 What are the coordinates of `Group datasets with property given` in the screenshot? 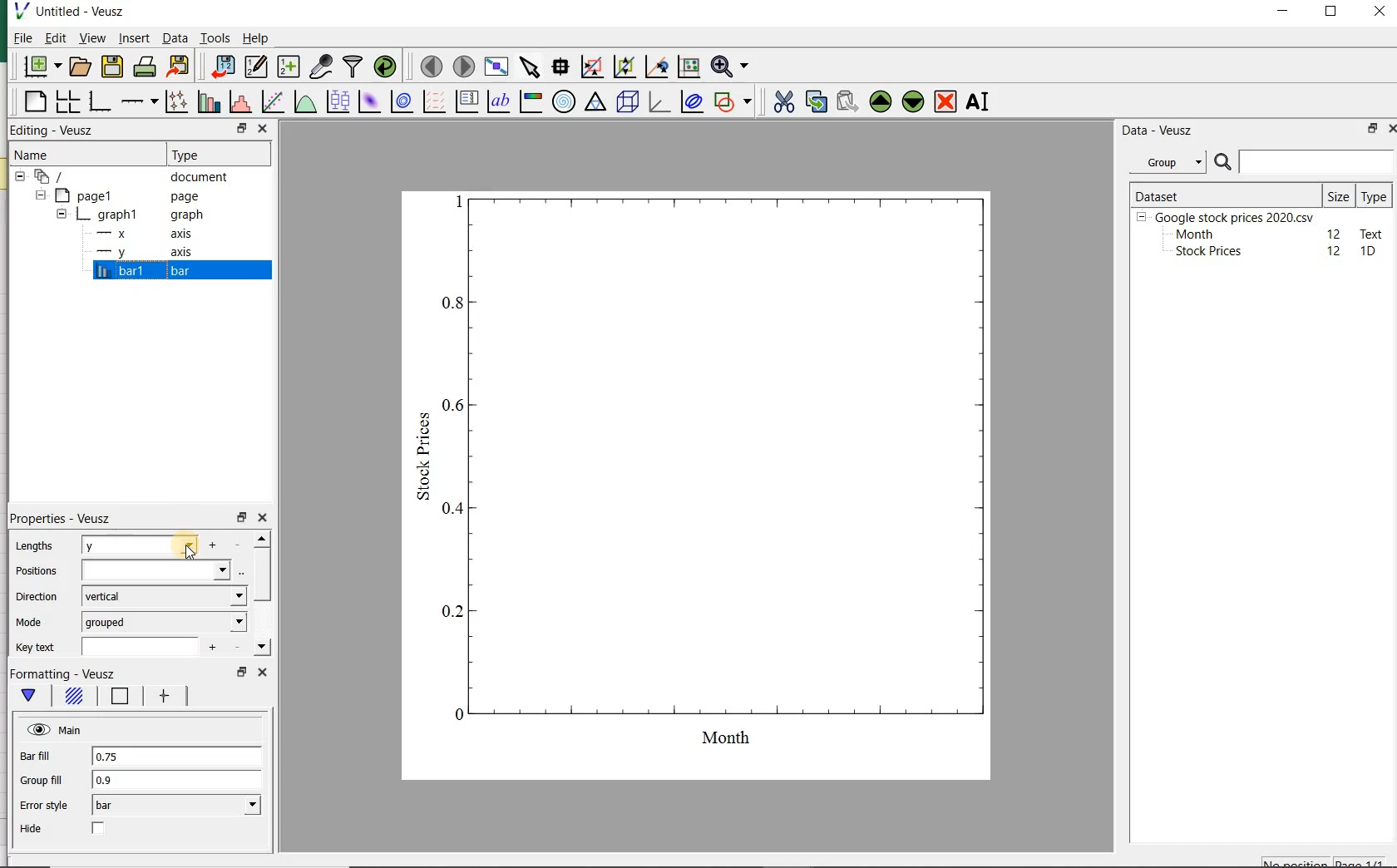 It's located at (1163, 162).